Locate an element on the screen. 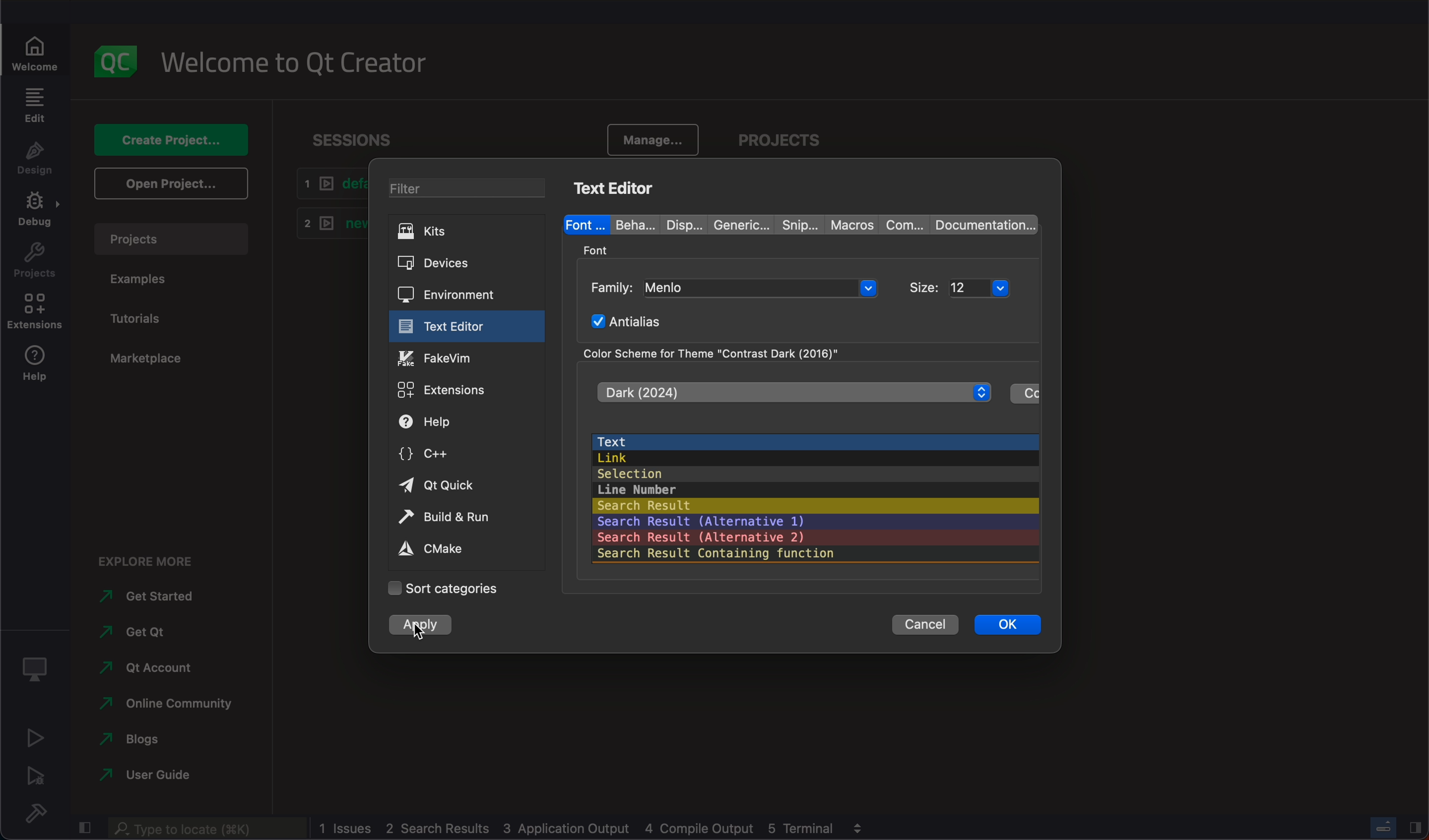 This screenshot has height=840, width=1429. qt quick is located at coordinates (465, 485).